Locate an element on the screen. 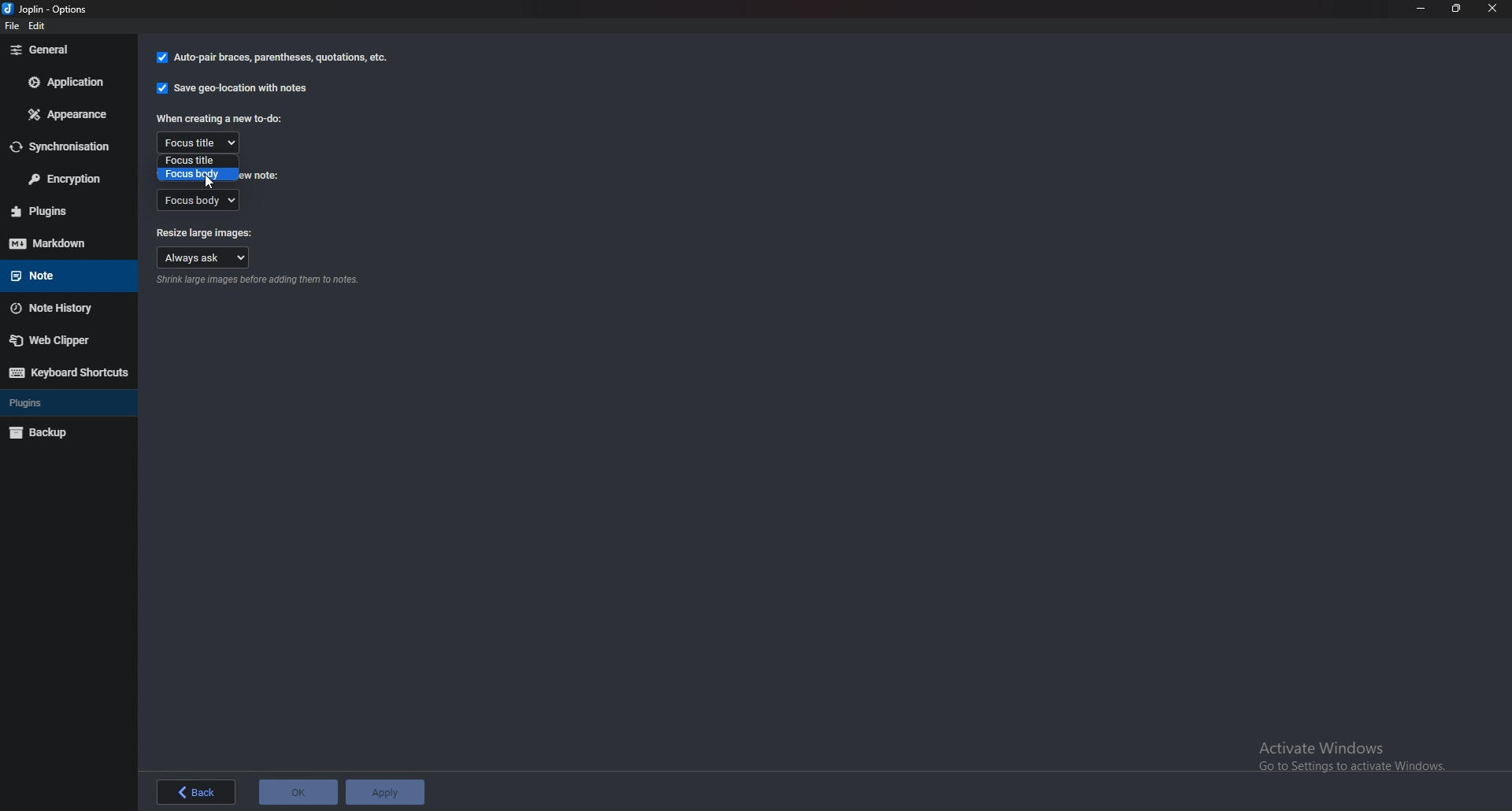  applu is located at coordinates (384, 791).